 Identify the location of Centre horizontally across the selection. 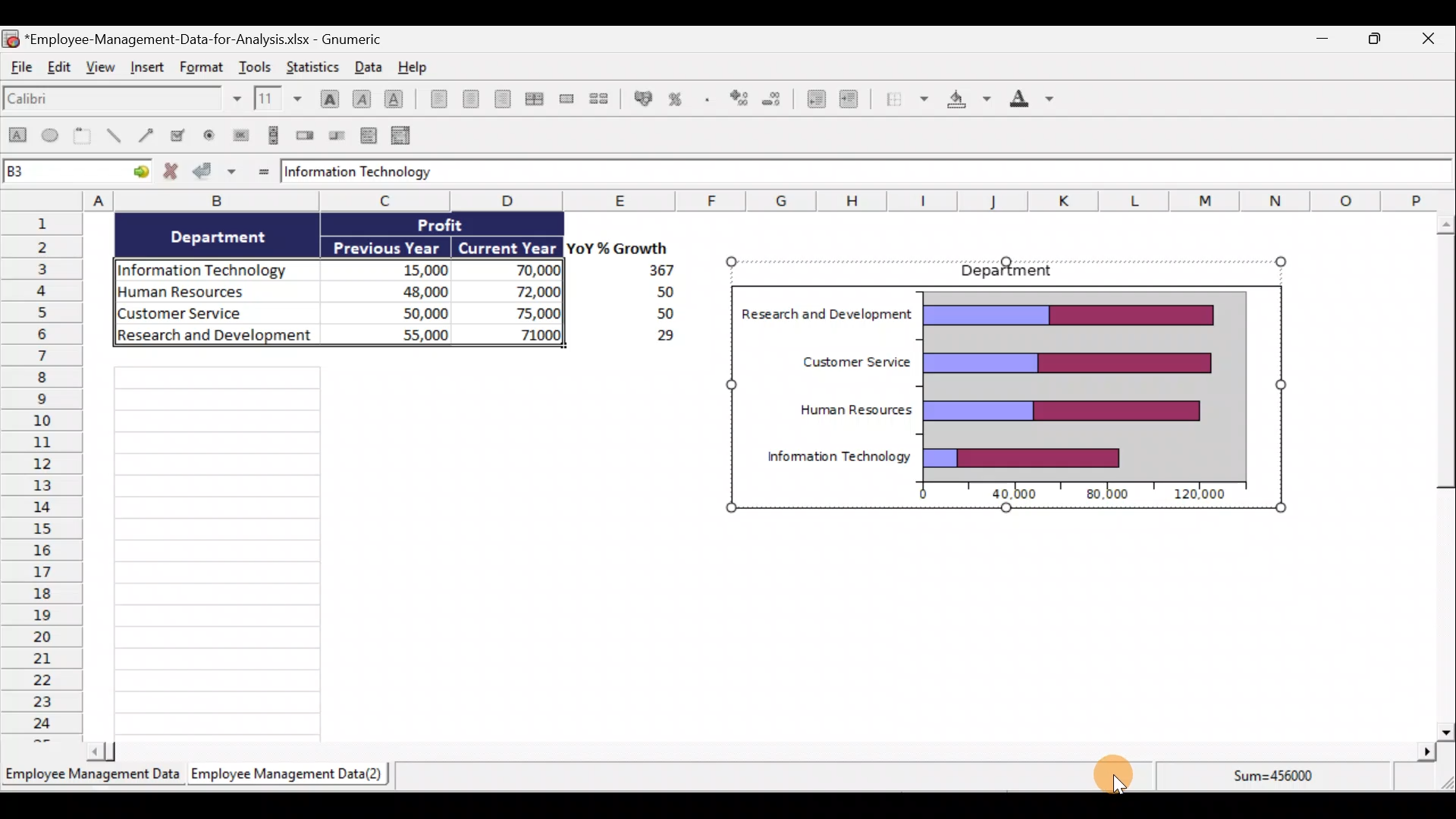
(537, 99).